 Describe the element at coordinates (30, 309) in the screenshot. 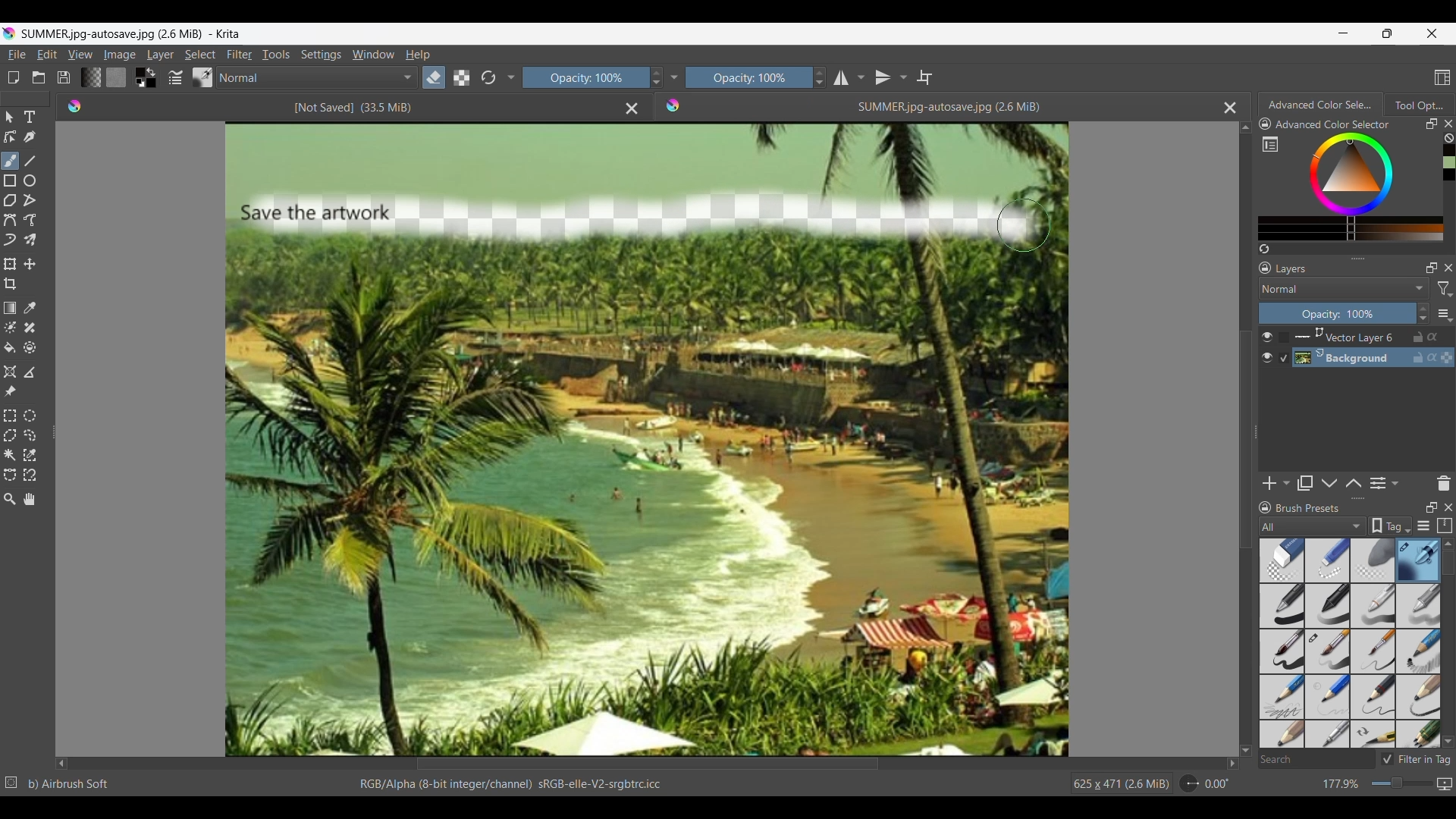

I see `Sample color from current layer` at that location.